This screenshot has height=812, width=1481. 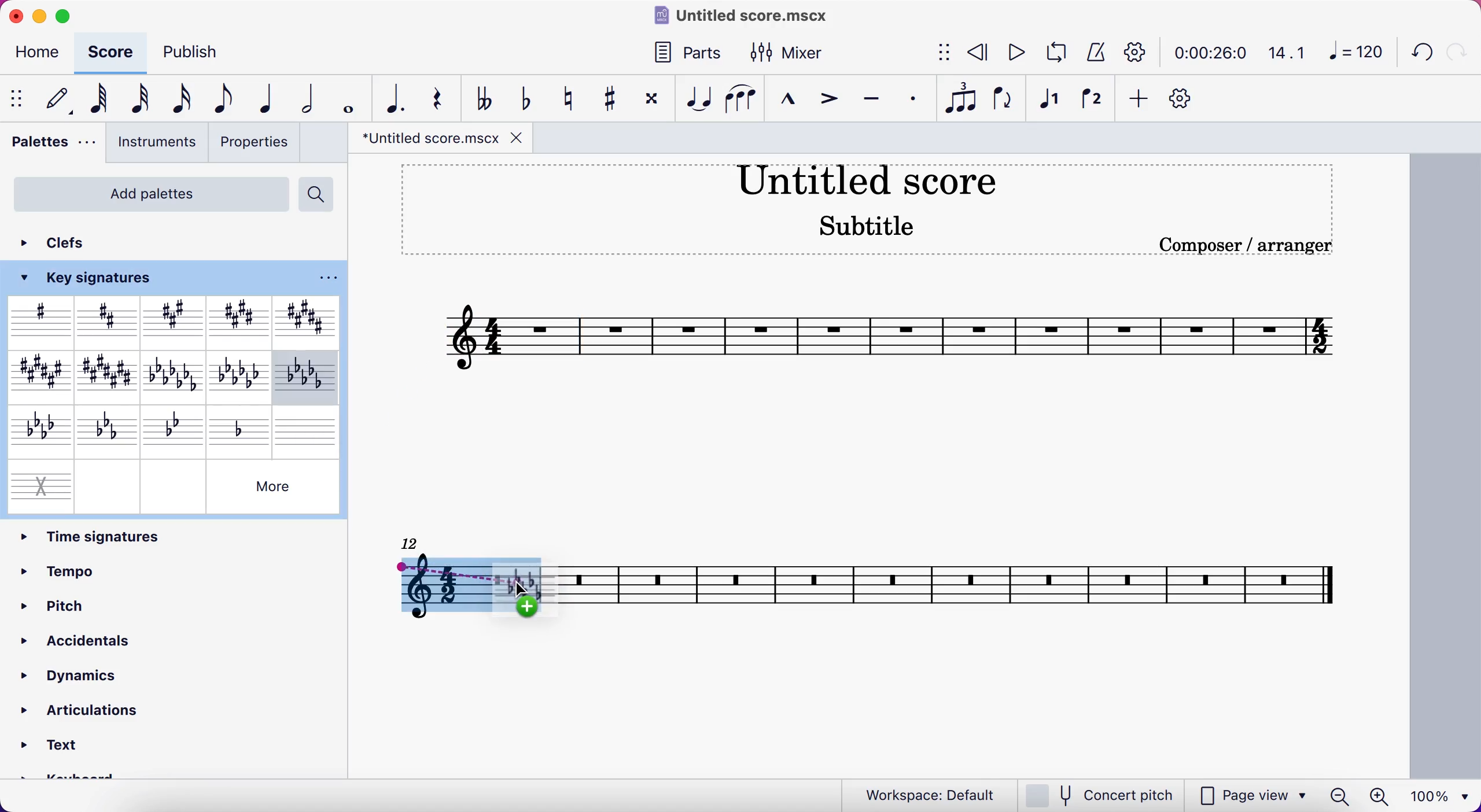 What do you see at coordinates (1094, 53) in the screenshot?
I see `metronome` at bounding box center [1094, 53].